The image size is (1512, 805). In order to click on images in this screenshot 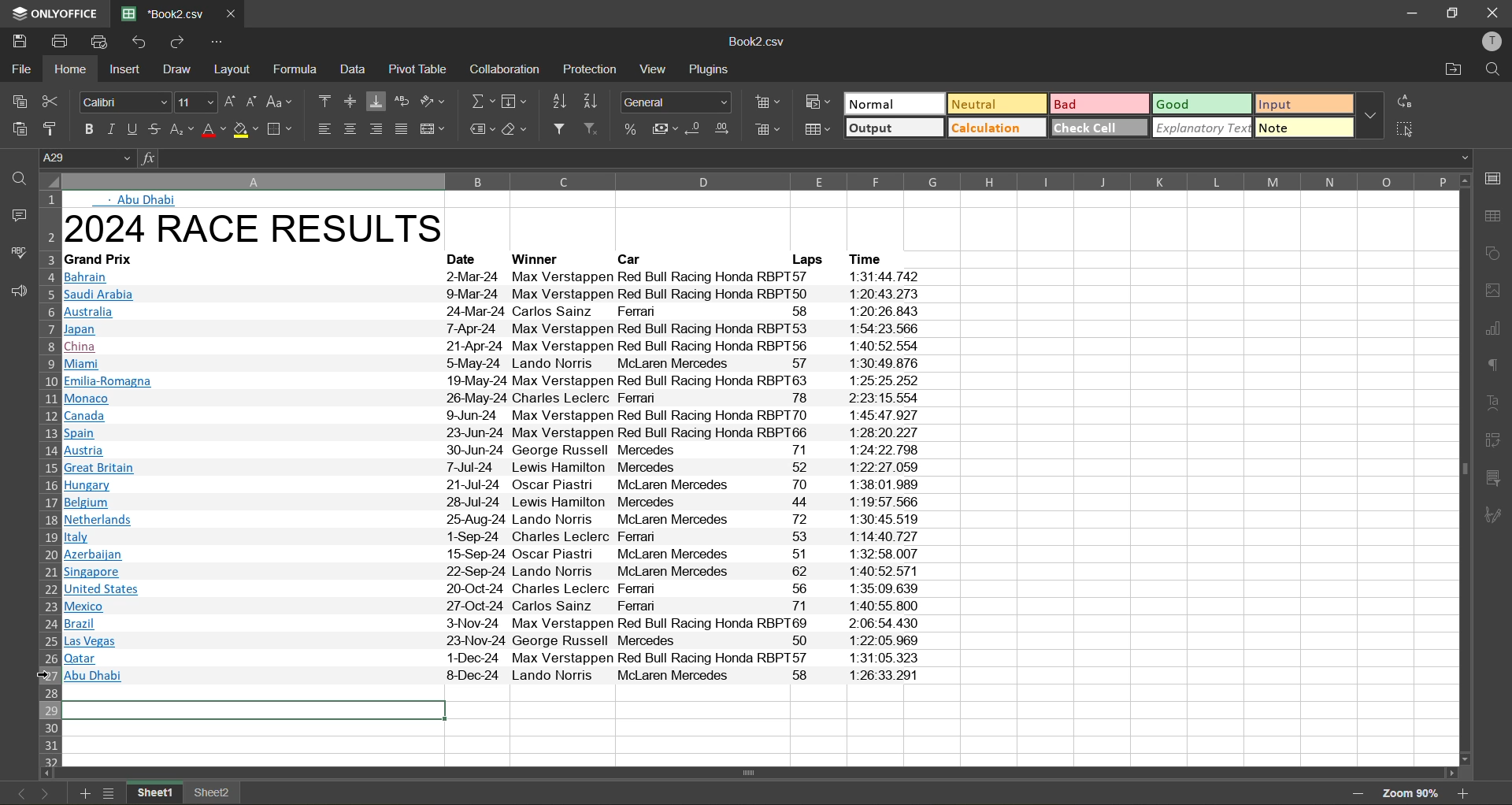, I will do `click(1494, 291)`.